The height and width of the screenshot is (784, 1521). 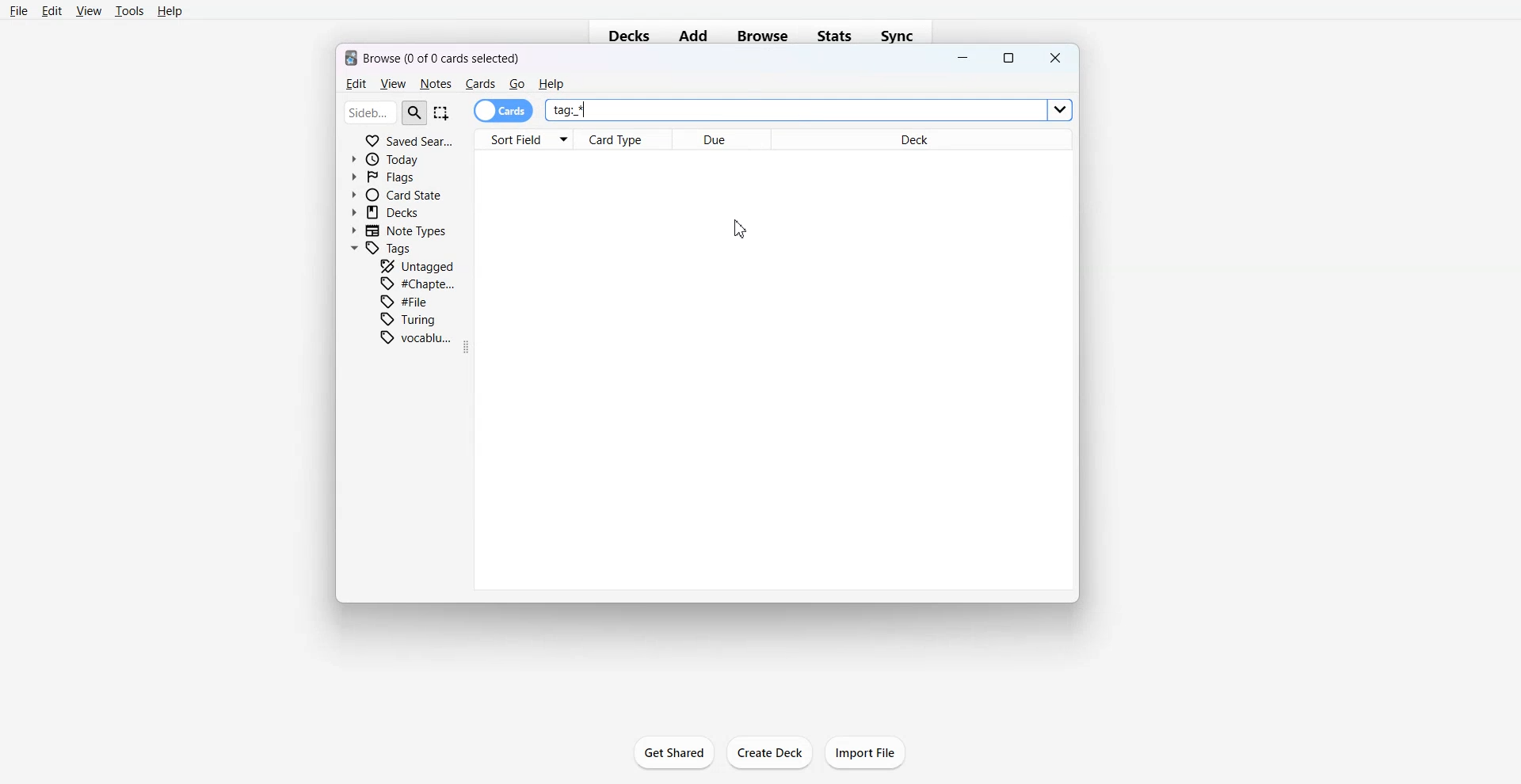 What do you see at coordinates (383, 176) in the screenshot?
I see `Flags` at bounding box center [383, 176].